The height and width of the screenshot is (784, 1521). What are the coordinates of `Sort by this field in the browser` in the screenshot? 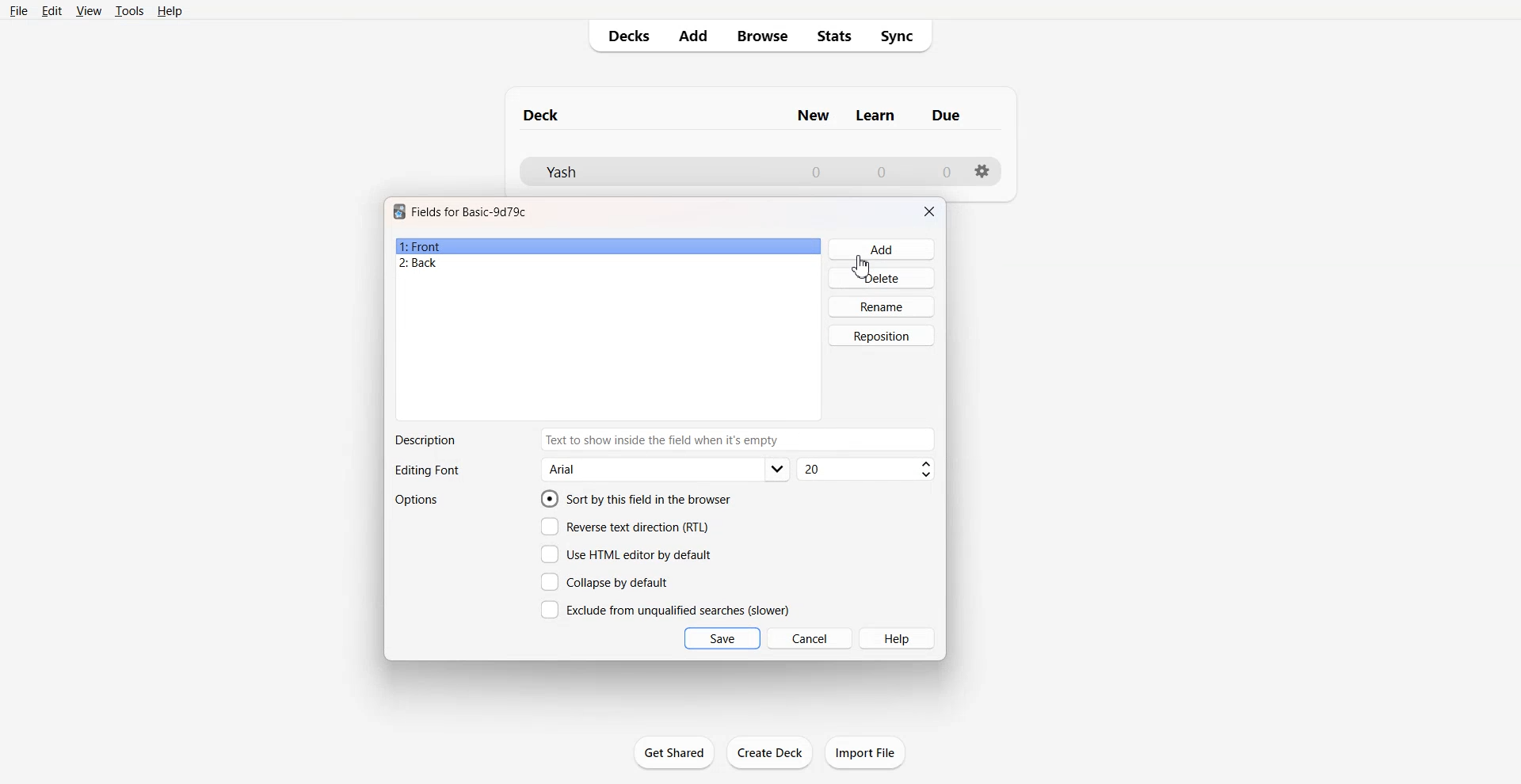 It's located at (636, 498).